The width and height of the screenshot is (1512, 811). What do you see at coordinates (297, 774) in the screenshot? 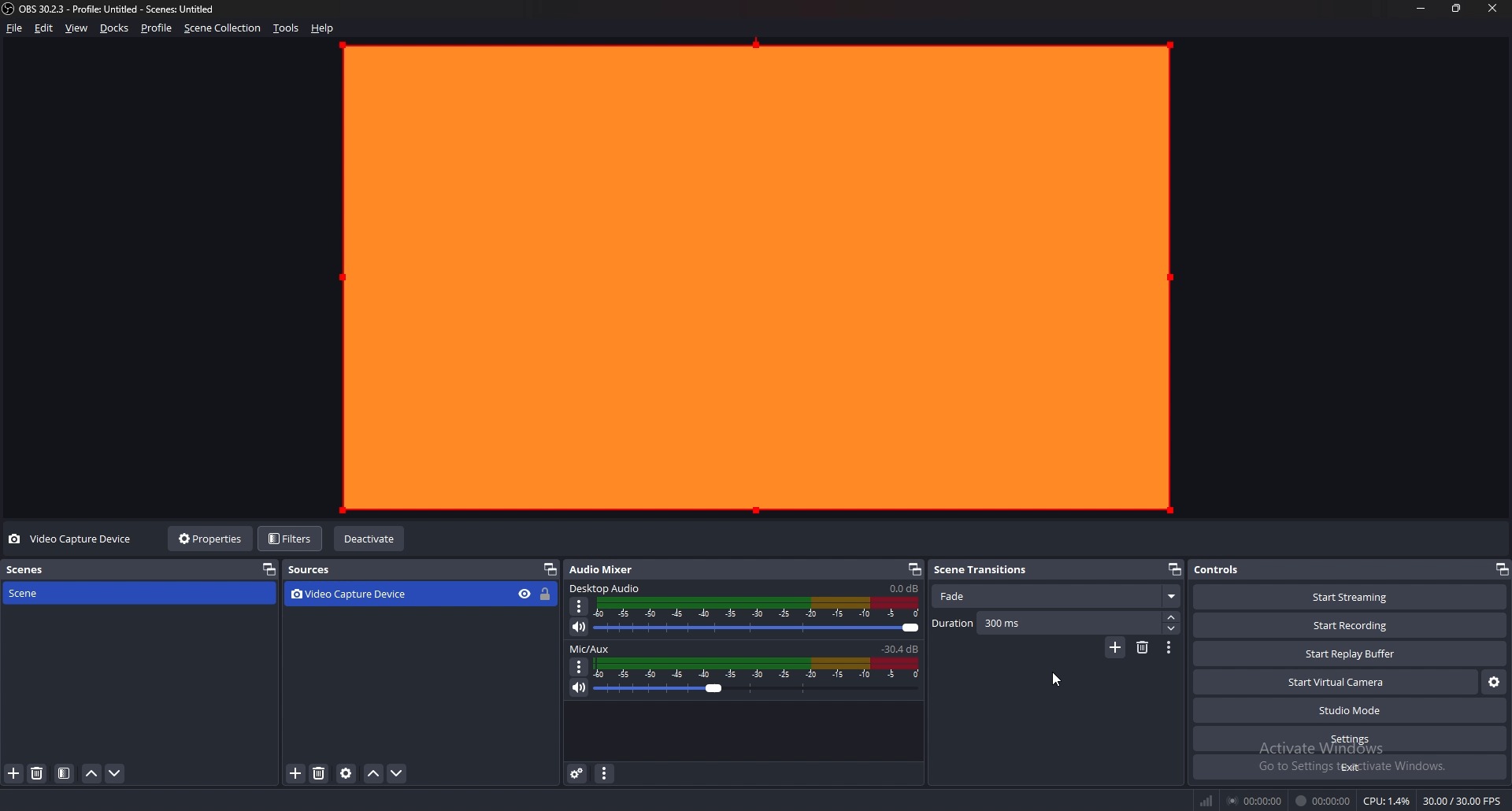
I see `add source` at bounding box center [297, 774].